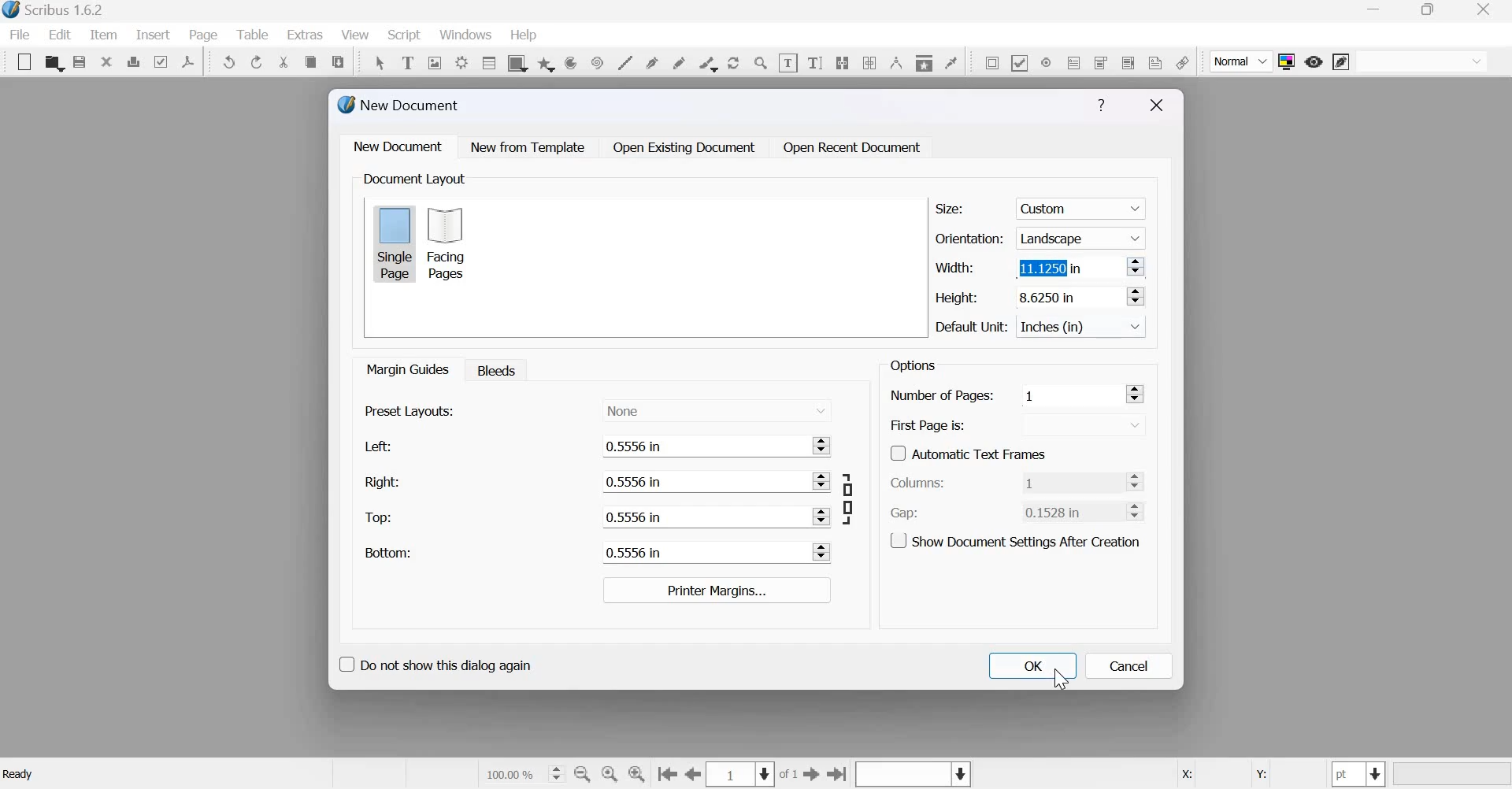 Image resolution: width=1512 pixels, height=789 pixels. What do you see at coordinates (1061, 680) in the screenshot?
I see `cursor` at bounding box center [1061, 680].